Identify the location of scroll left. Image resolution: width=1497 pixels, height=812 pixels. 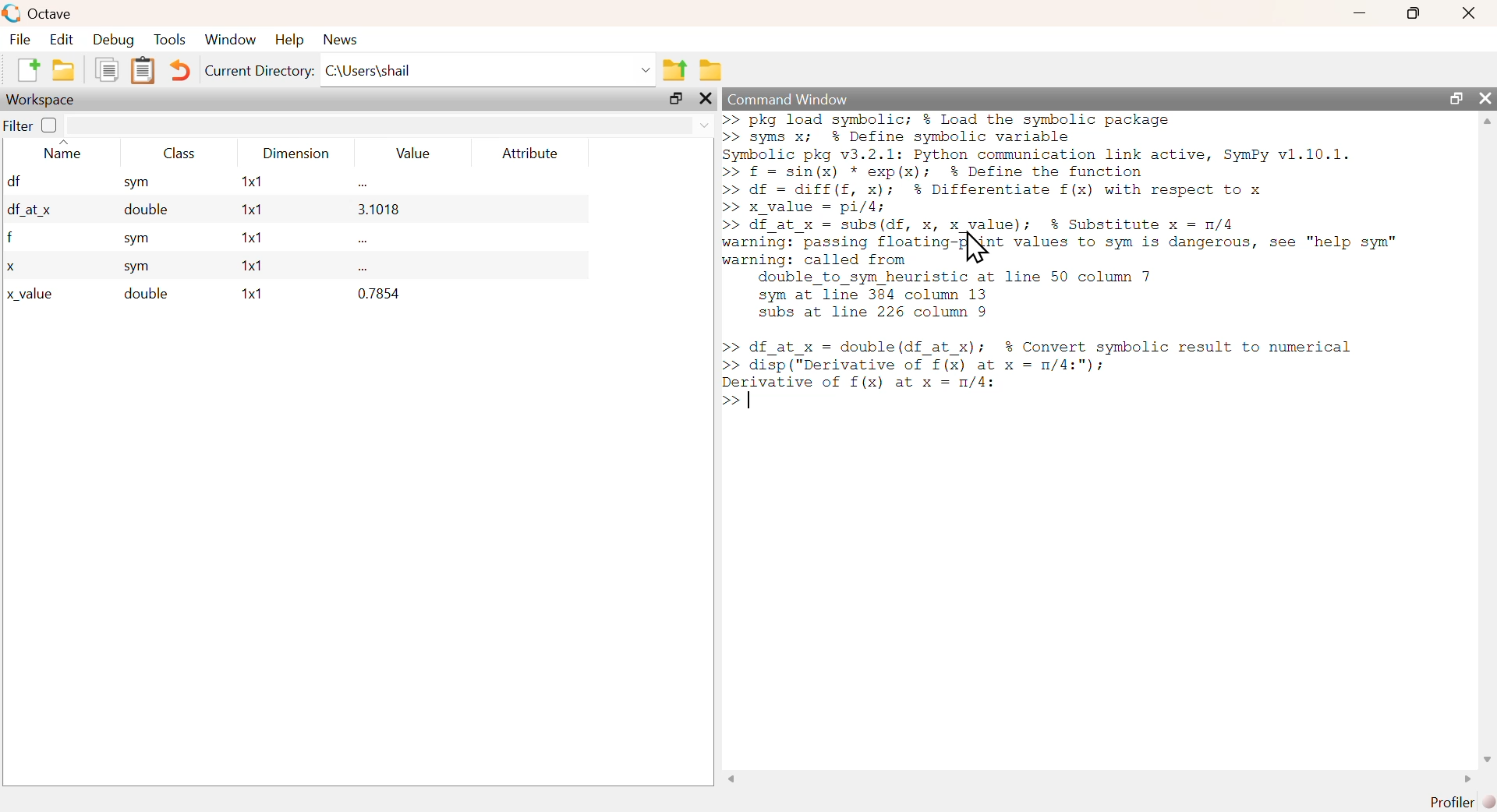
(731, 779).